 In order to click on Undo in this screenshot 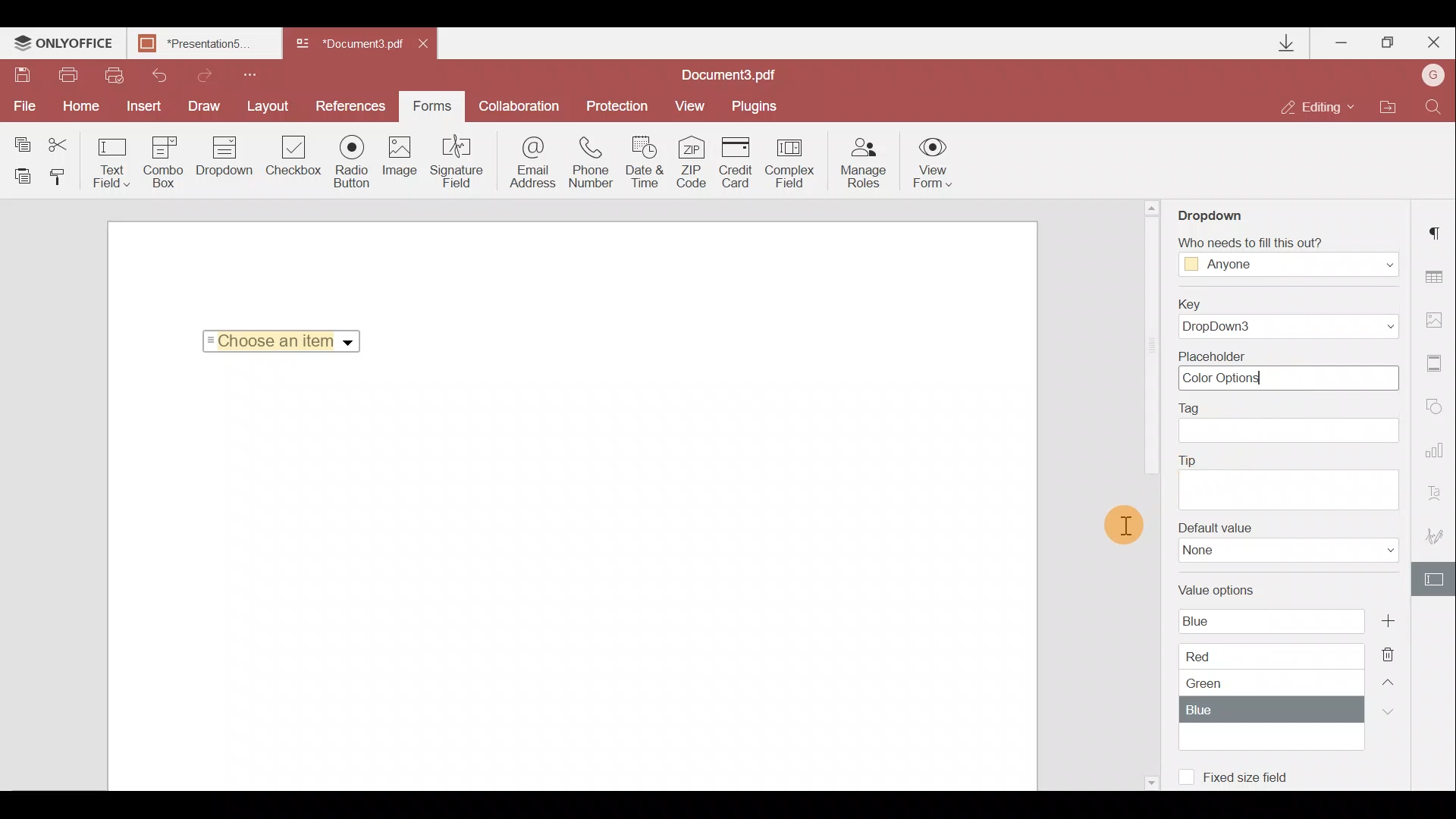, I will do `click(158, 76)`.